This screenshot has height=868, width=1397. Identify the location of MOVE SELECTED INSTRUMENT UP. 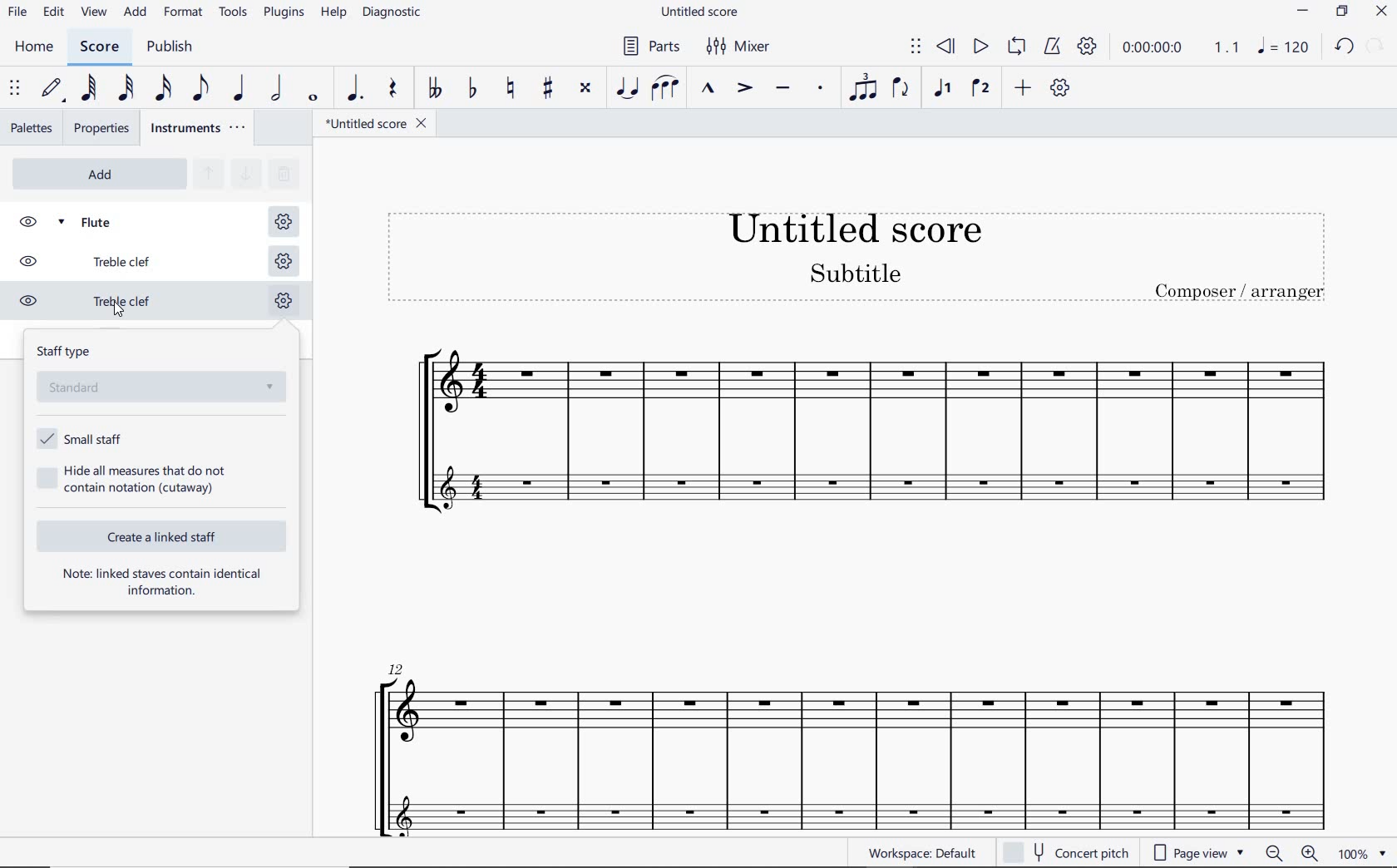
(207, 175).